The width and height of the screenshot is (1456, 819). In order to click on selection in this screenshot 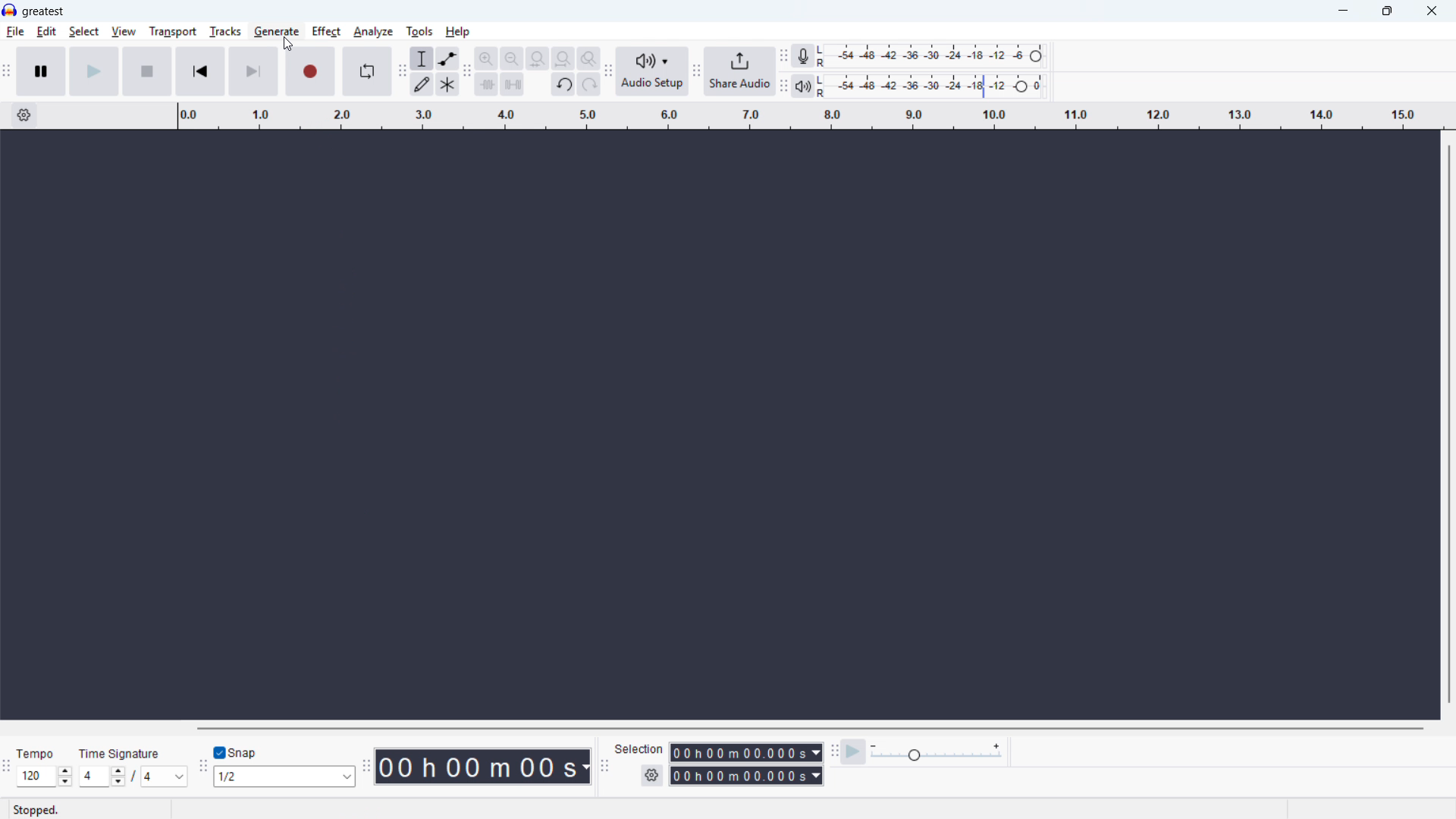, I will do `click(640, 749)`.